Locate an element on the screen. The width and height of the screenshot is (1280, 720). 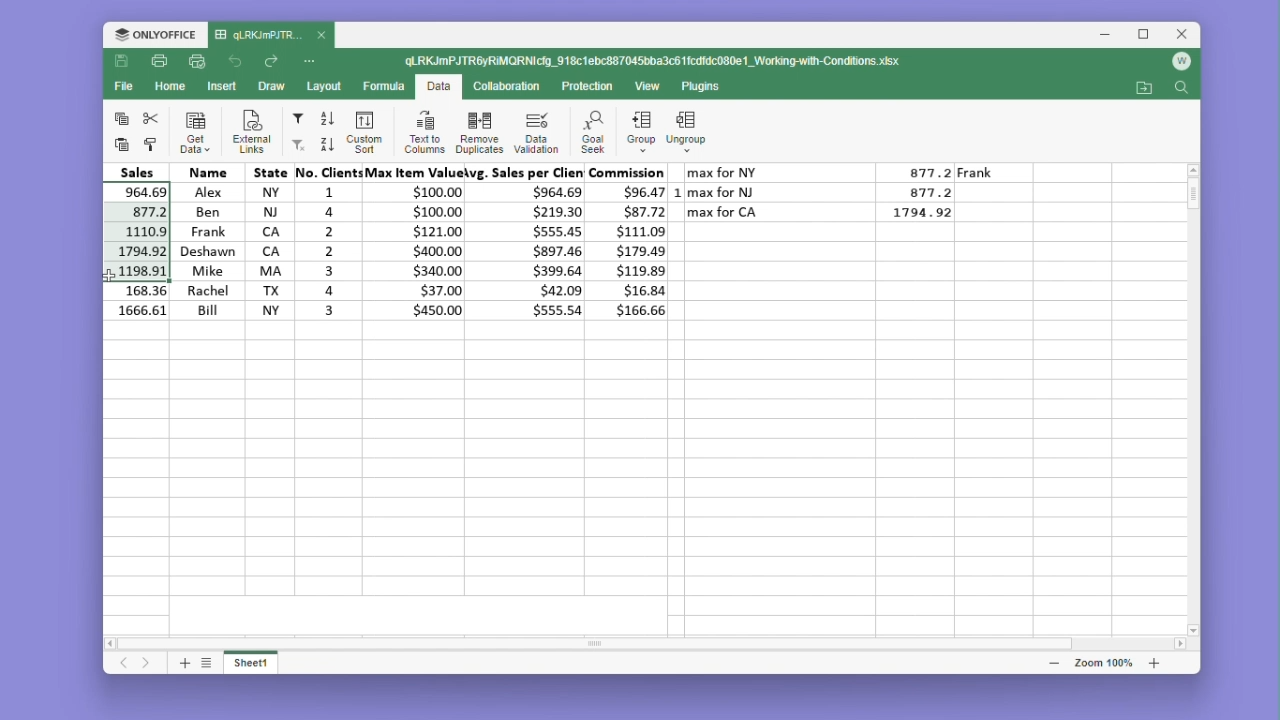
Go back  is located at coordinates (238, 62).